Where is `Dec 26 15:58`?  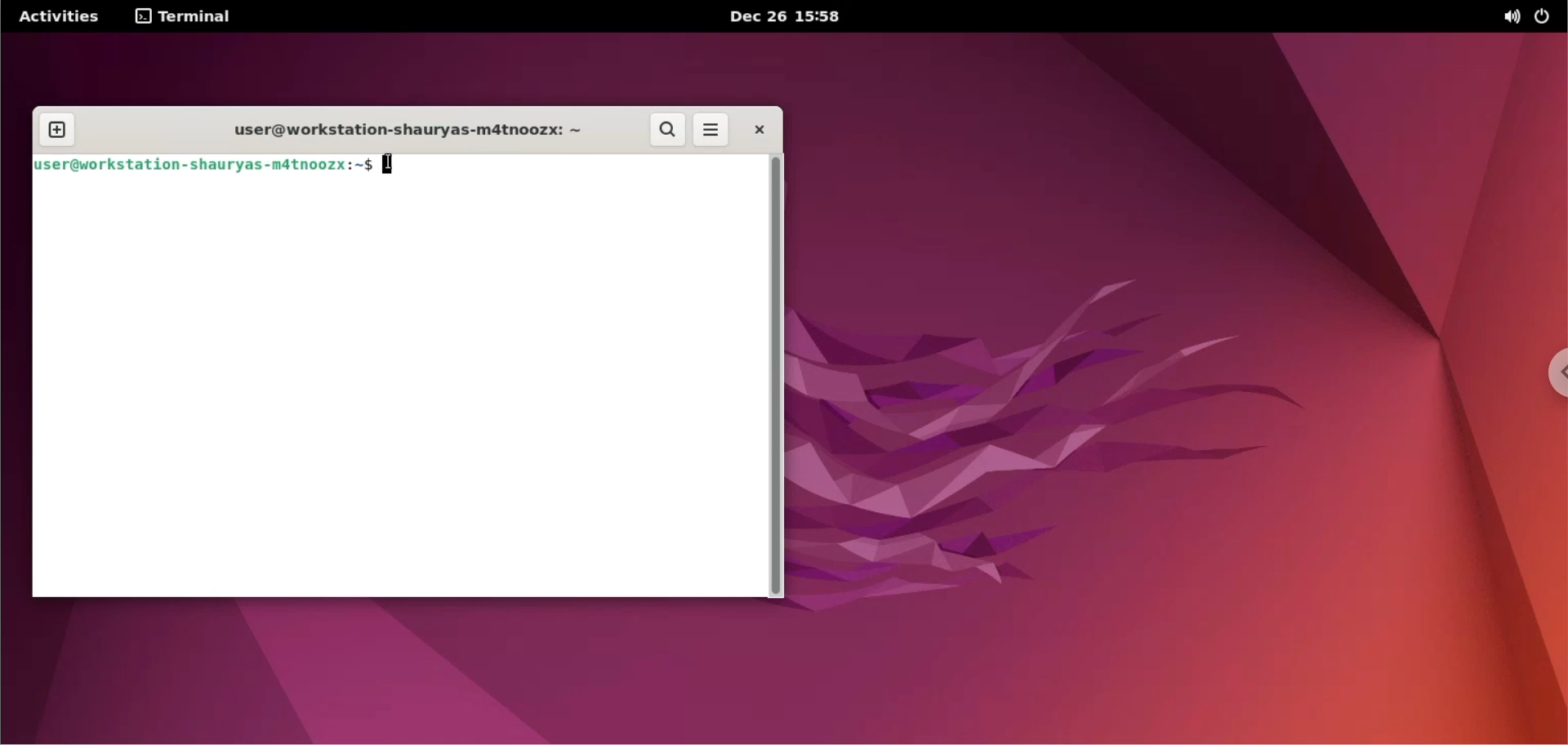
Dec 26 15:58 is located at coordinates (788, 17).